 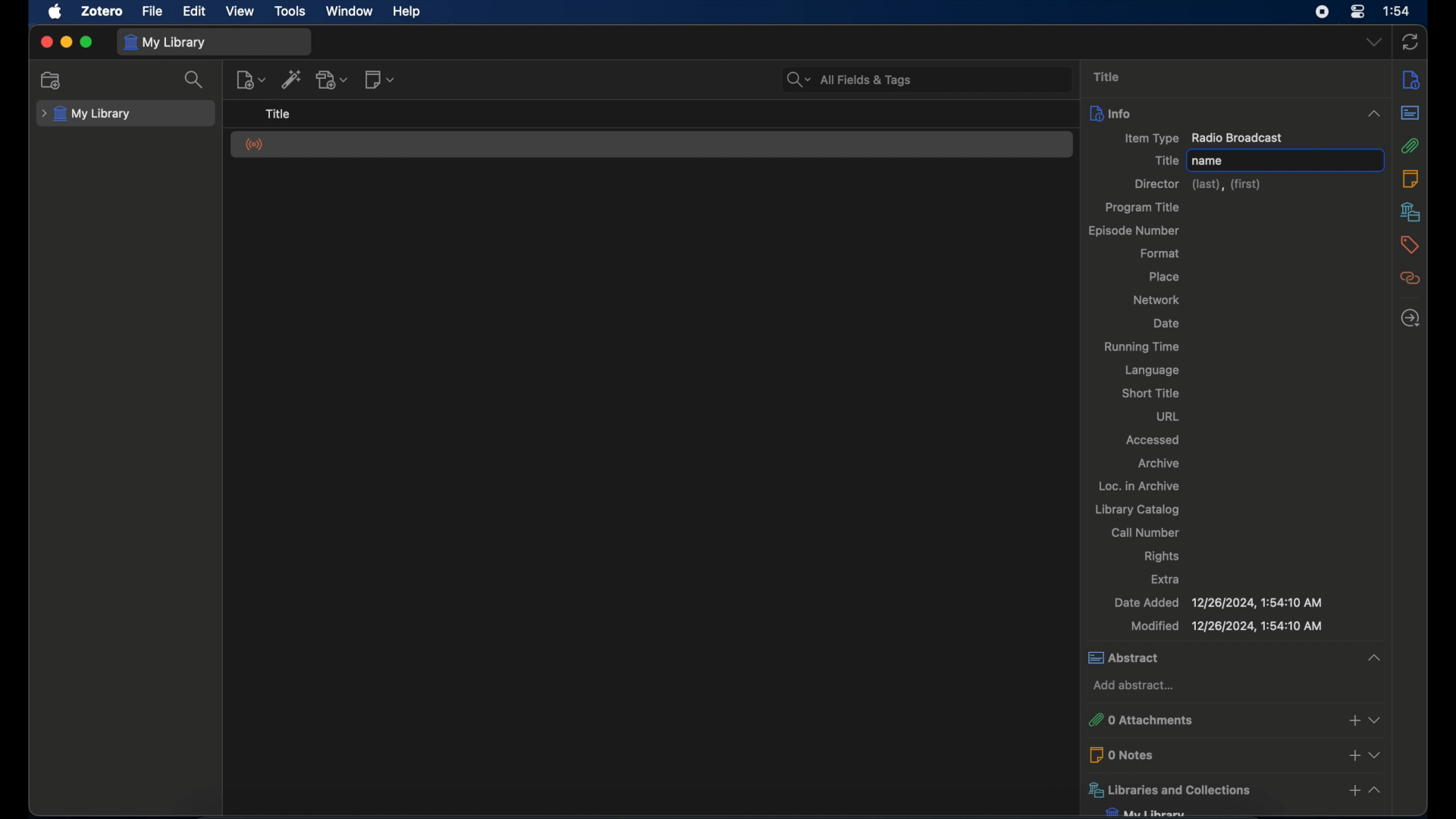 I want to click on extra, so click(x=1168, y=579).